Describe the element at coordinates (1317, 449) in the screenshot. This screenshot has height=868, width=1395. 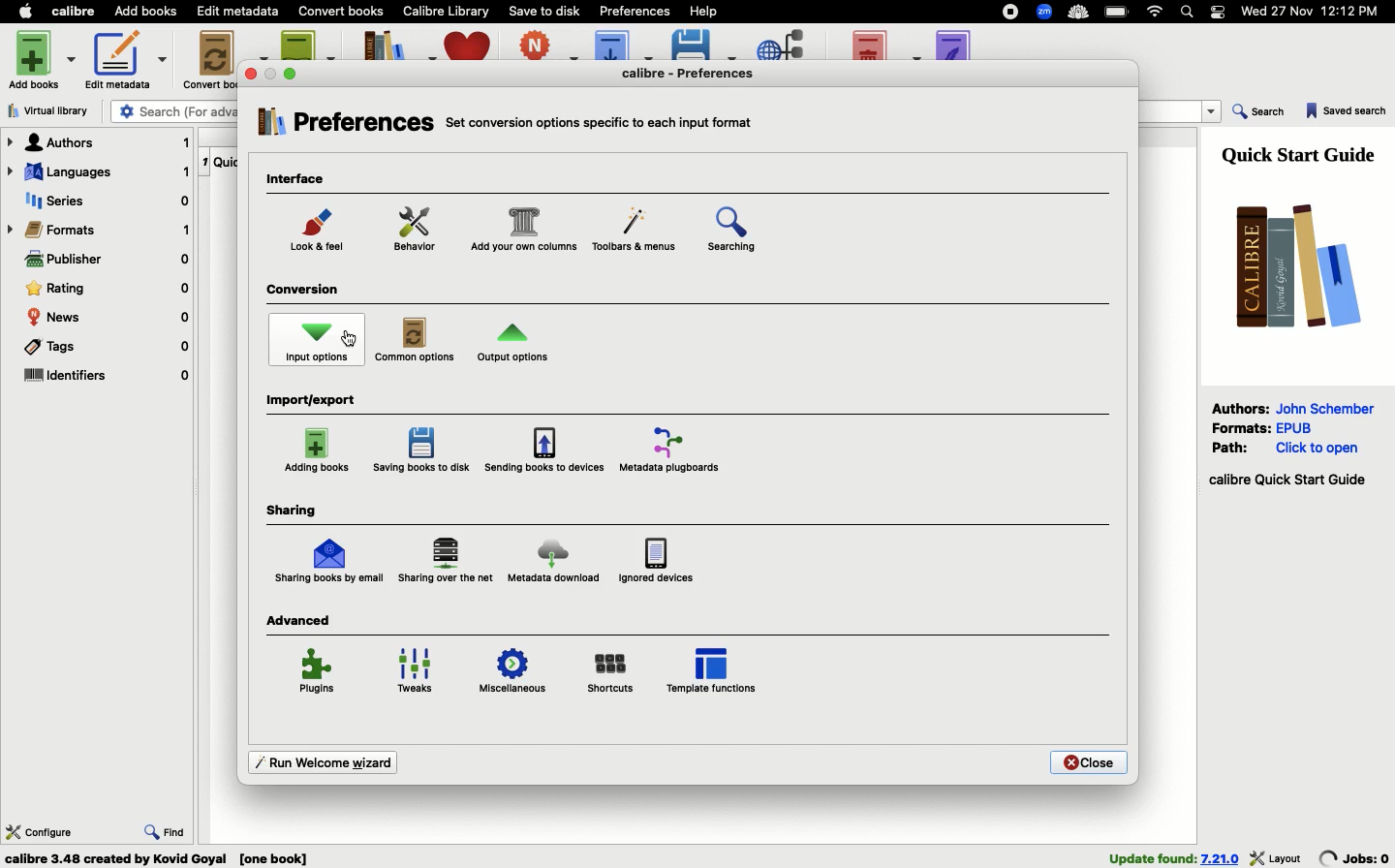
I see `click to open` at that location.